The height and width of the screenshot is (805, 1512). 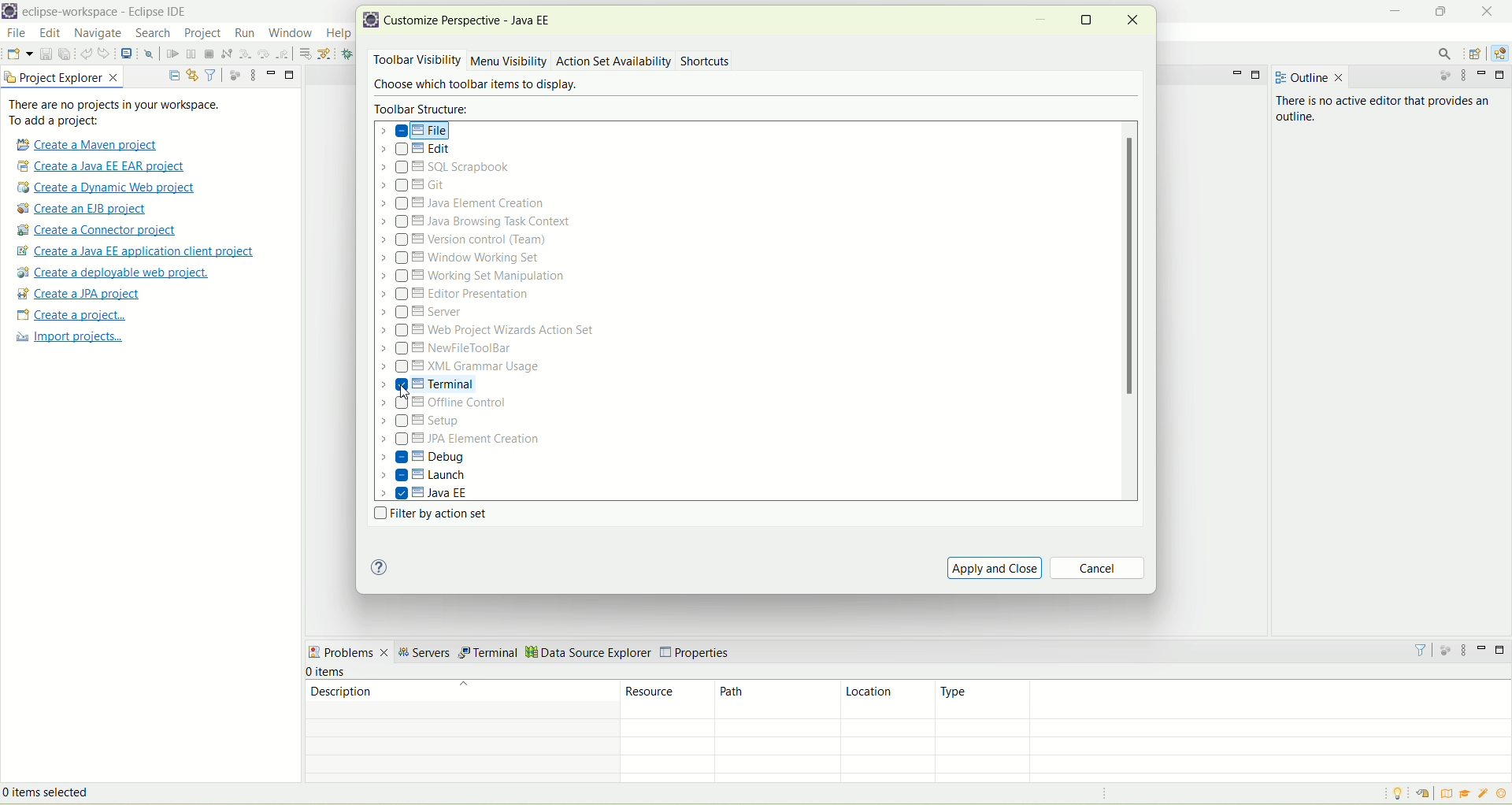 What do you see at coordinates (379, 568) in the screenshot?
I see `help` at bounding box center [379, 568].